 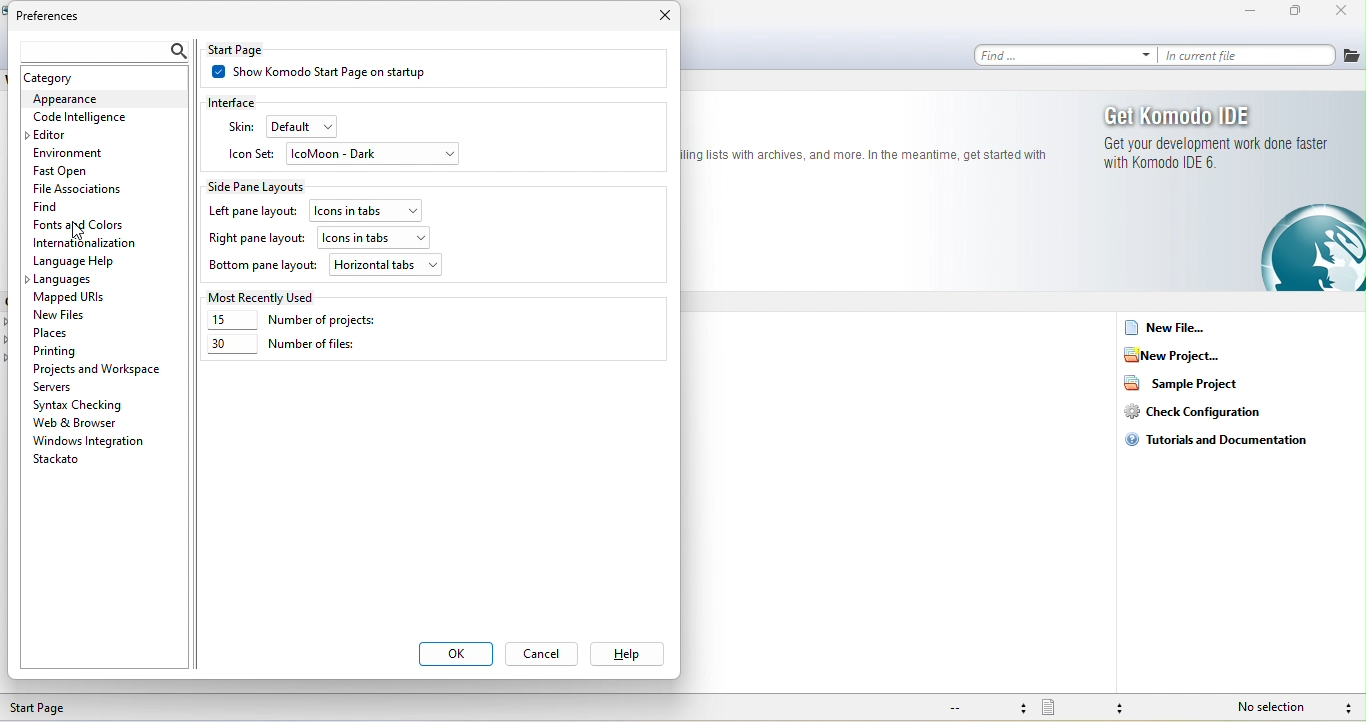 What do you see at coordinates (262, 264) in the screenshot?
I see `bottom pane layout` at bounding box center [262, 264].